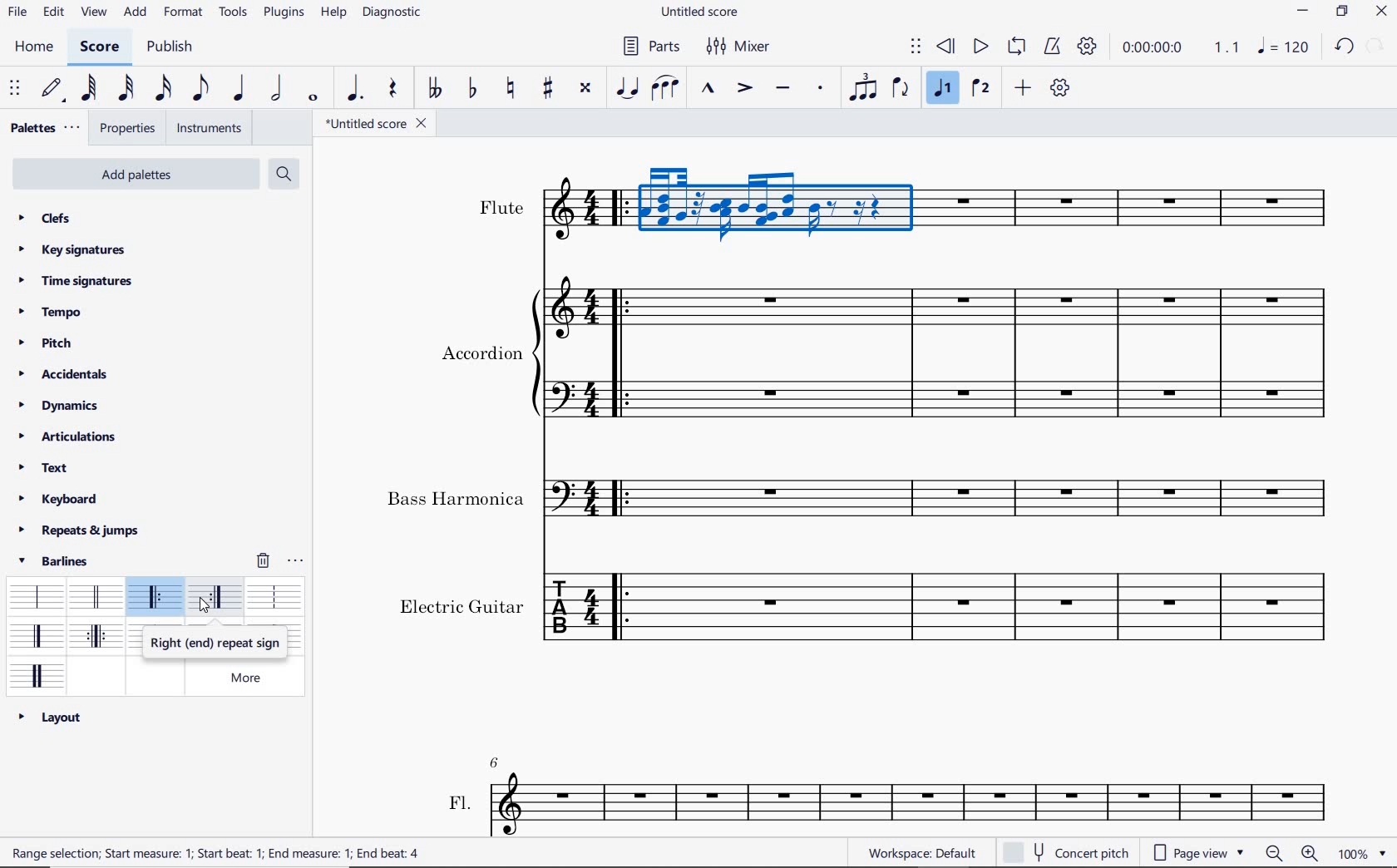 Image resolution: width=1397 pixels, height=868 pixels. What do you see at coordinates (220, 855) in the screenshot?
I see `text` at bounding box center [220, 855].